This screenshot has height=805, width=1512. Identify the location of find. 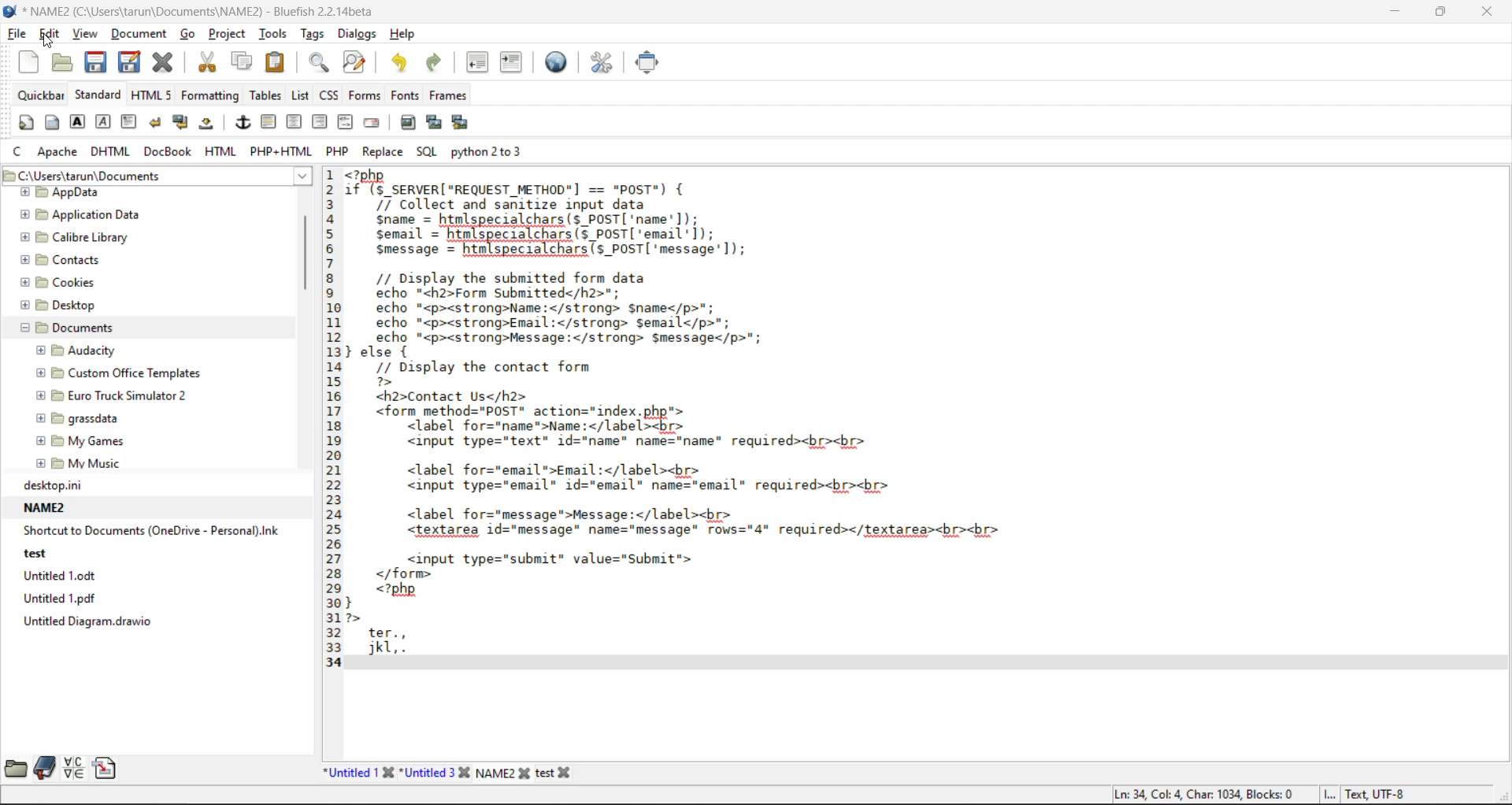
(320, 65).